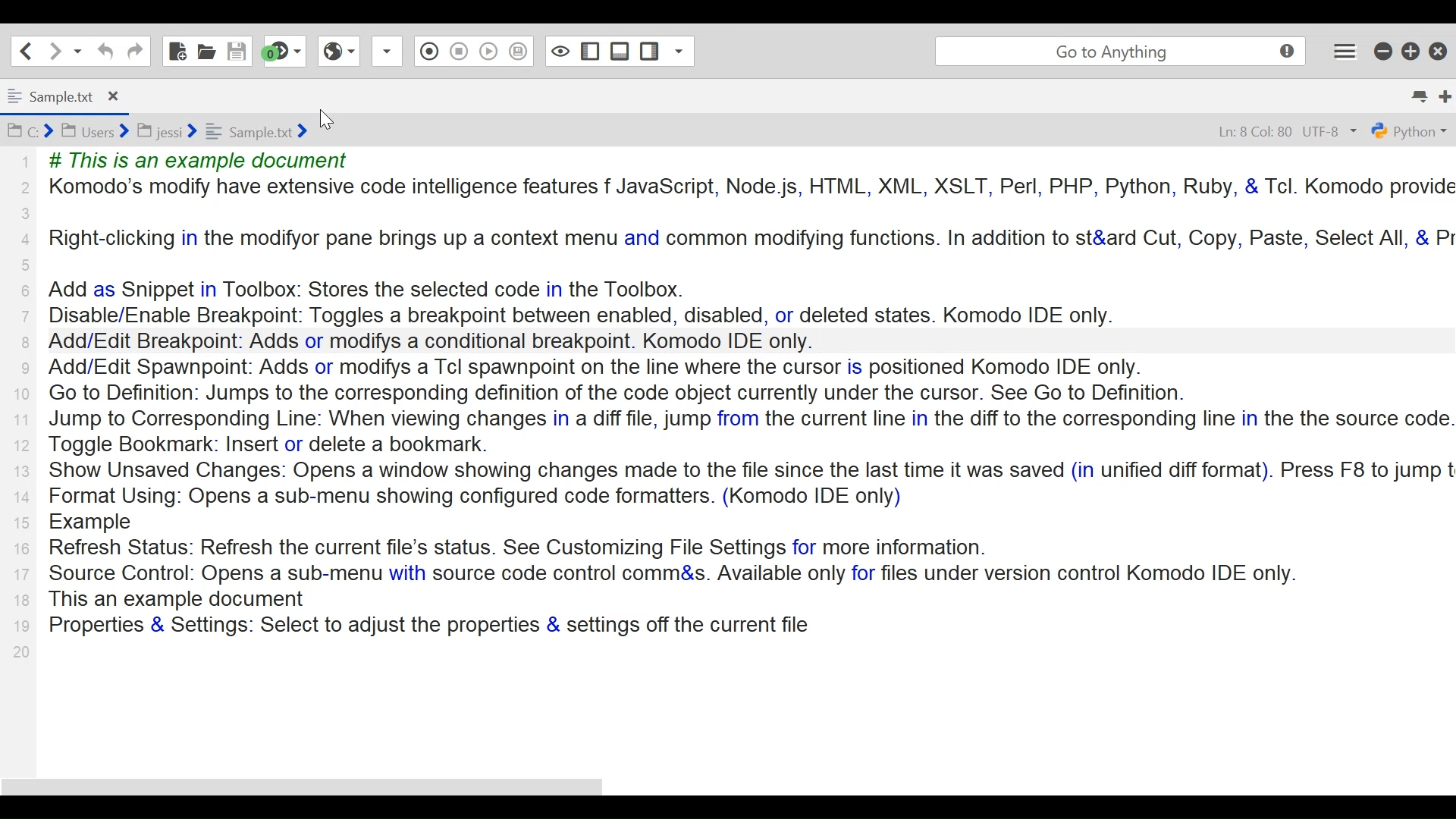 This screenshot has height=819, width=1456. I want to click on Redo last Action, so click(135, 50).